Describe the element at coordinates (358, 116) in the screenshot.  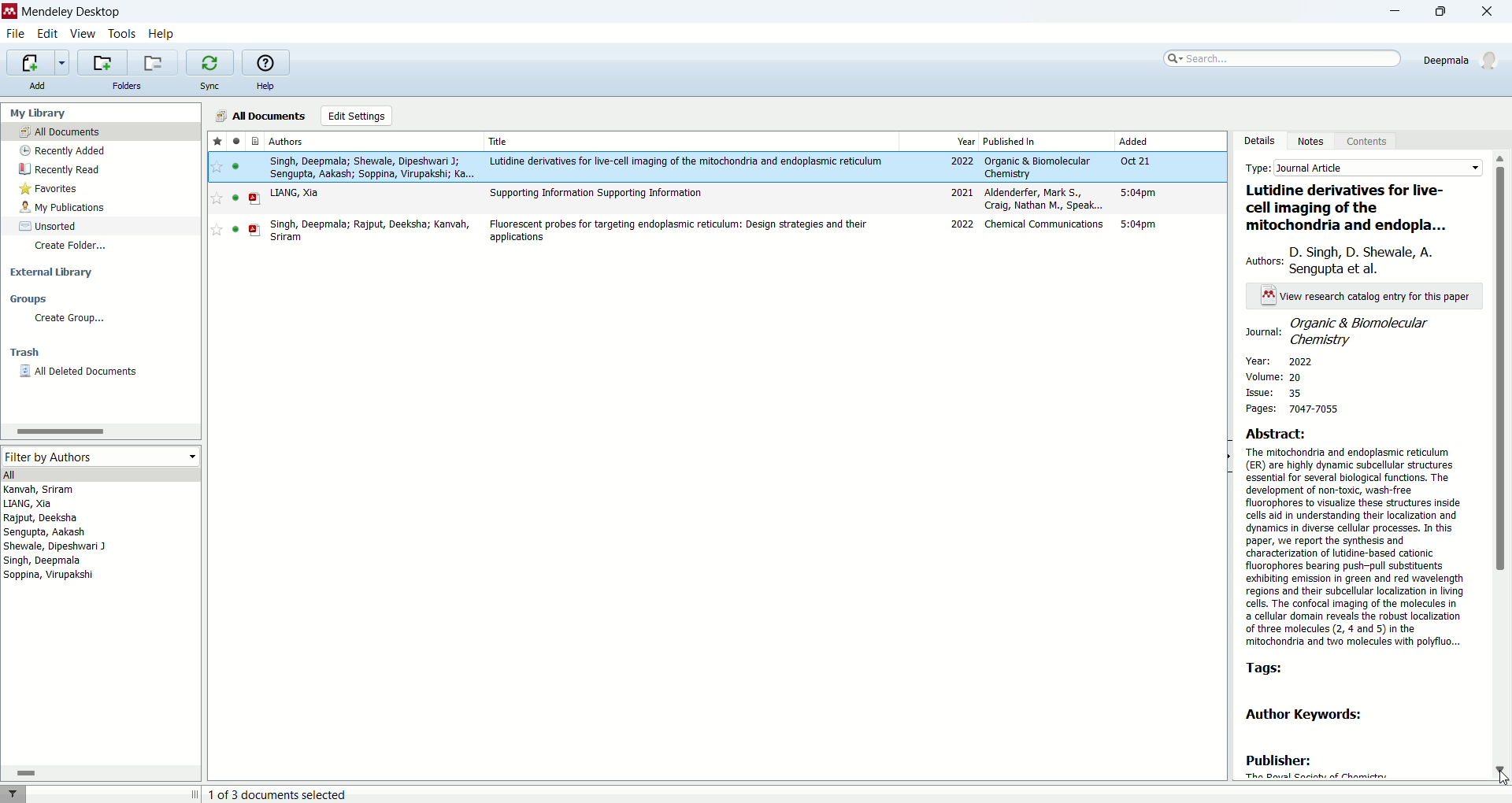
I see `edit settings` at that location.